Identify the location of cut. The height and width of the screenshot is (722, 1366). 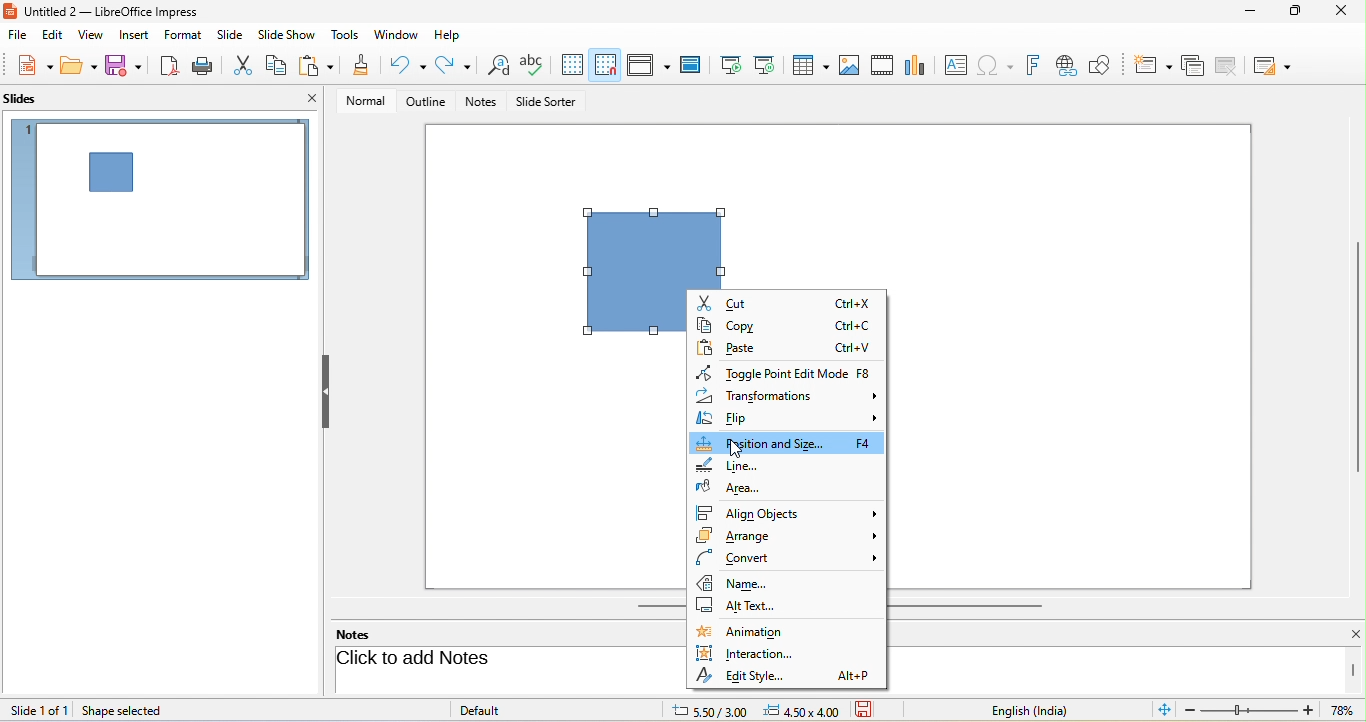
(245, 64).